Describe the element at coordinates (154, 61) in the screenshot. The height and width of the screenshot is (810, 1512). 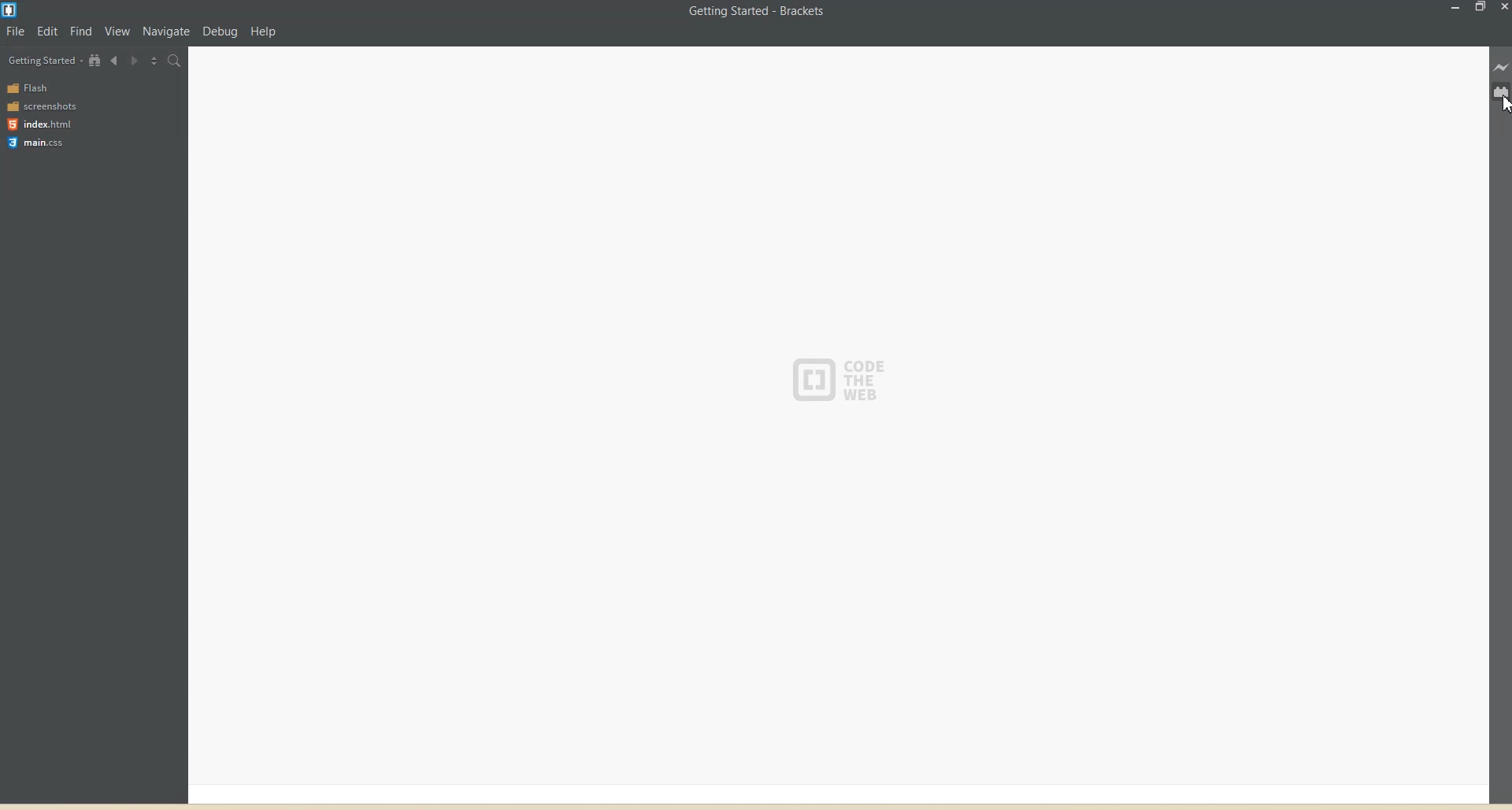
I see `Split The Editor vertically and Horizontally` at that location.